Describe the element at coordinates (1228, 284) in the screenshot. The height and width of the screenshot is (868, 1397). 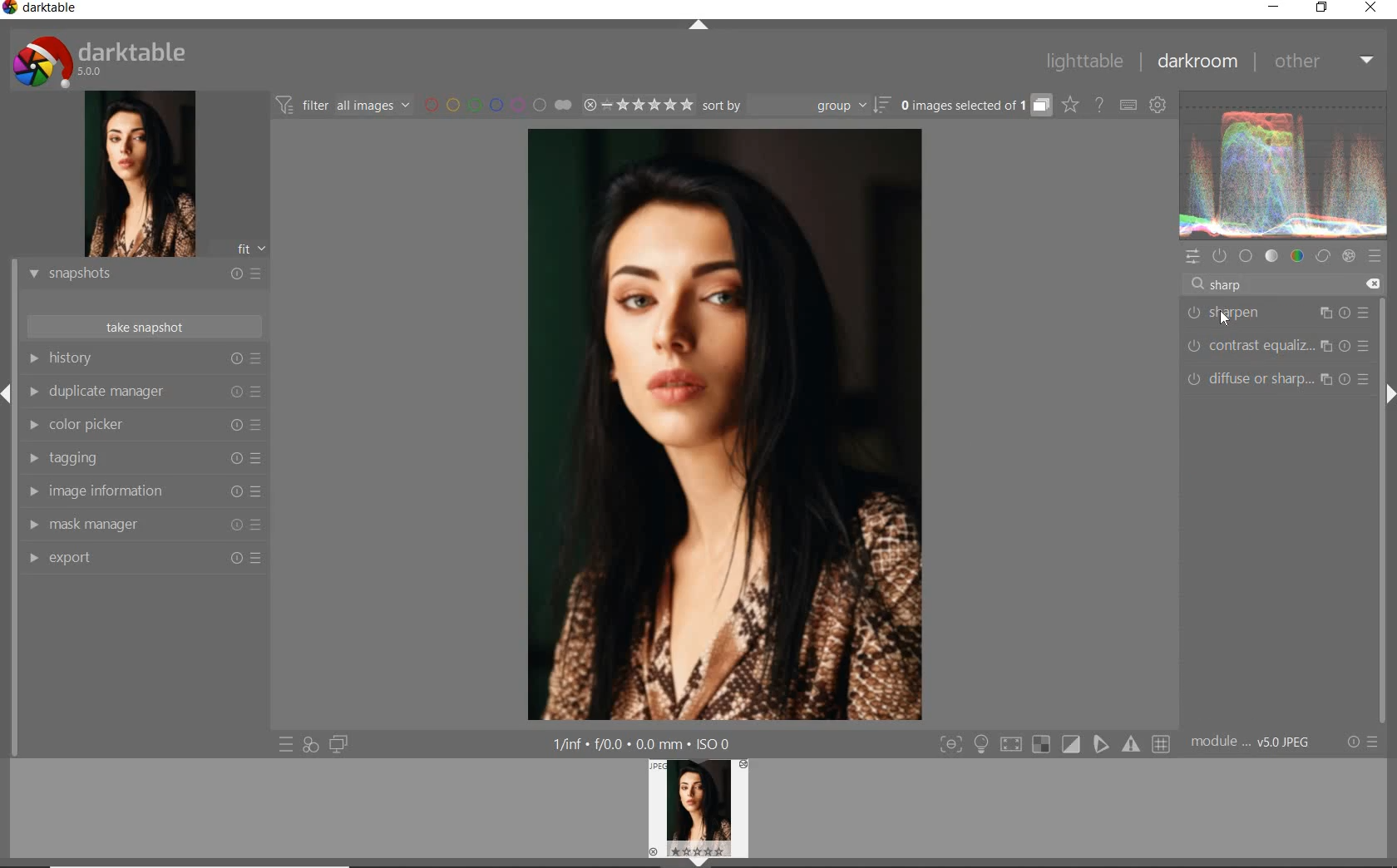
I see `SHARP` at that location.